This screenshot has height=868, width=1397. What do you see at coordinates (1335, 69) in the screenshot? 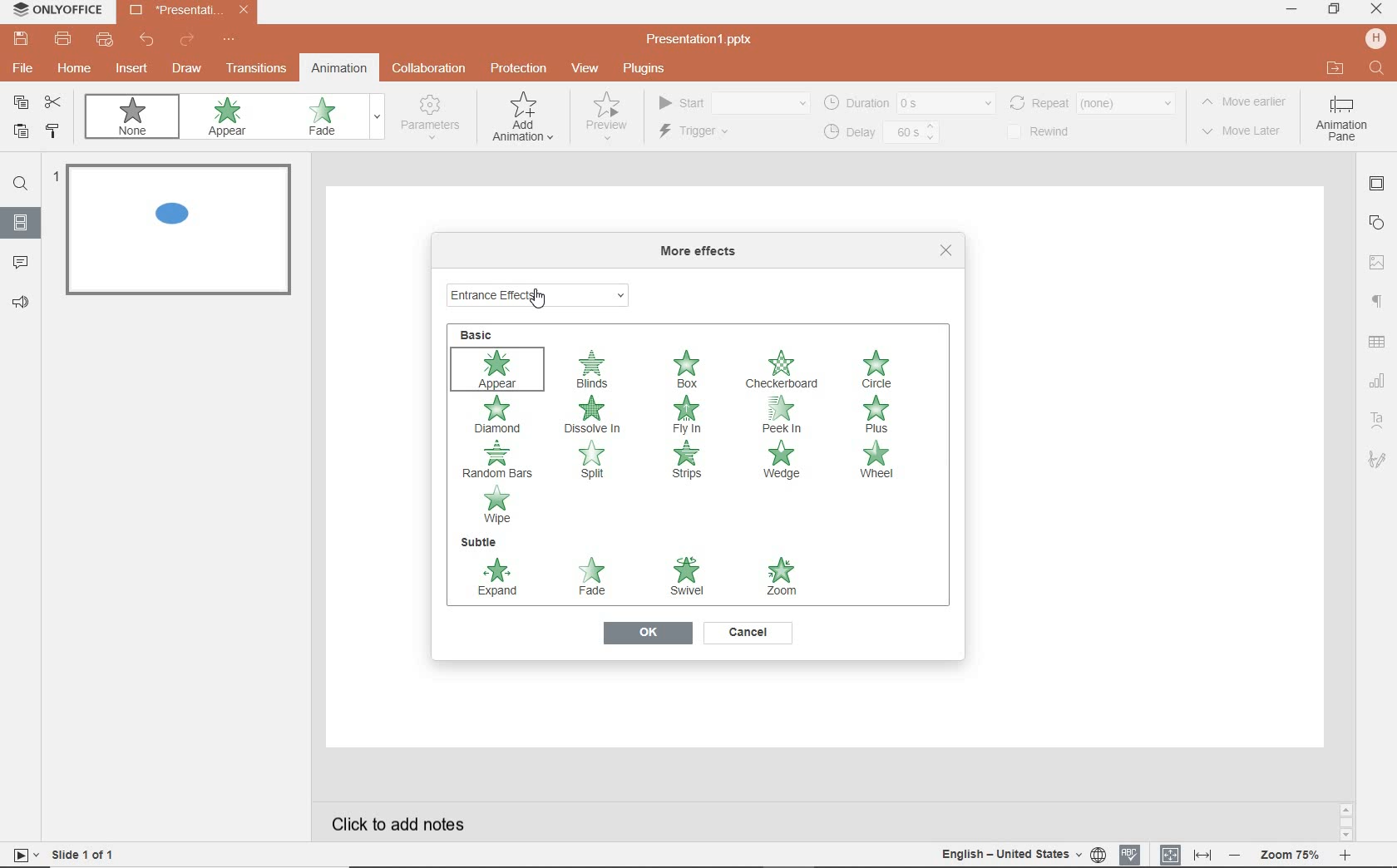
I see `OPEN FILE LOCATION` at bounding box center [1335, 69].